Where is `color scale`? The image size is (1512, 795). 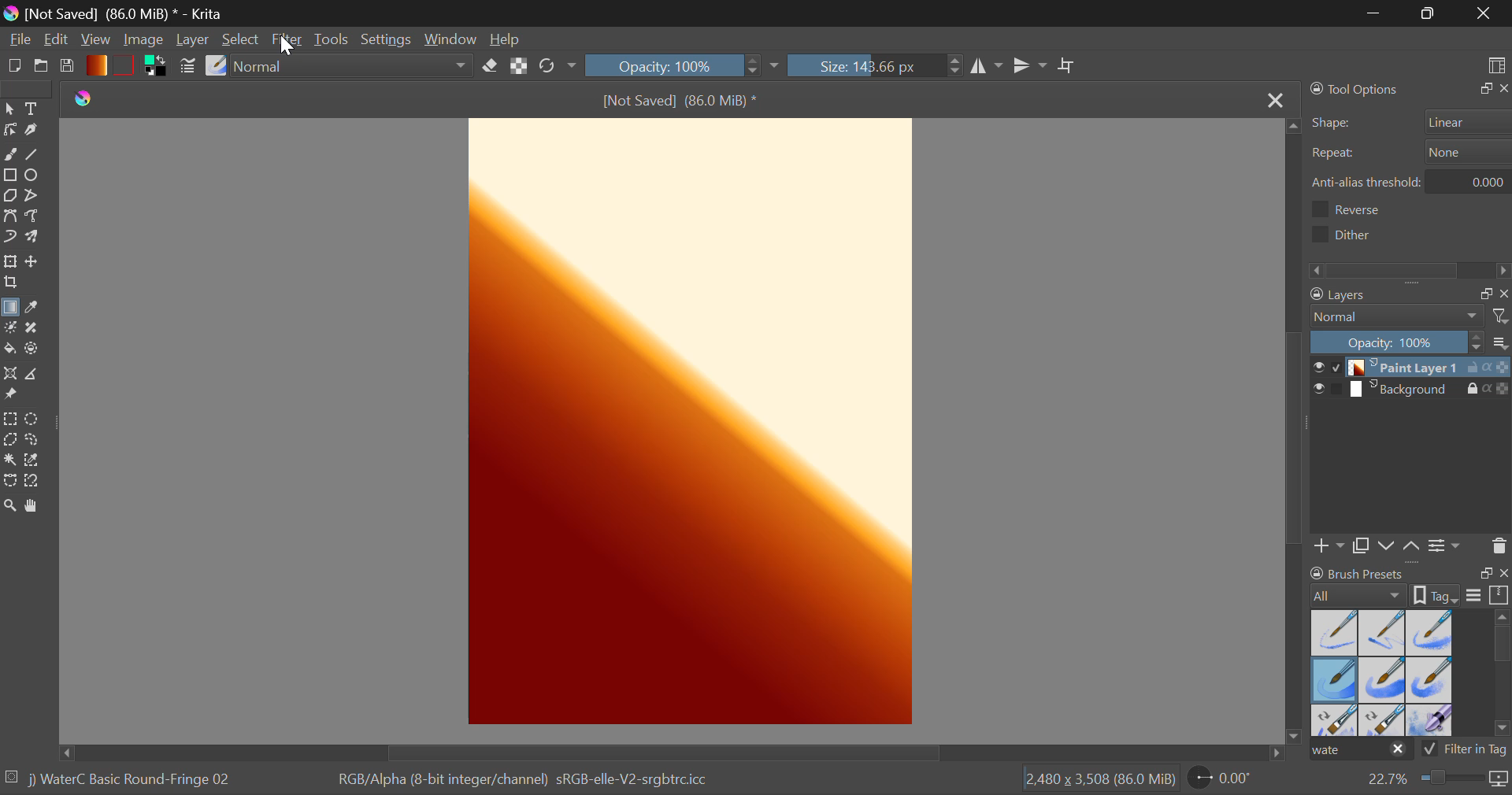
color scale is located at coordinates (1503, 391).